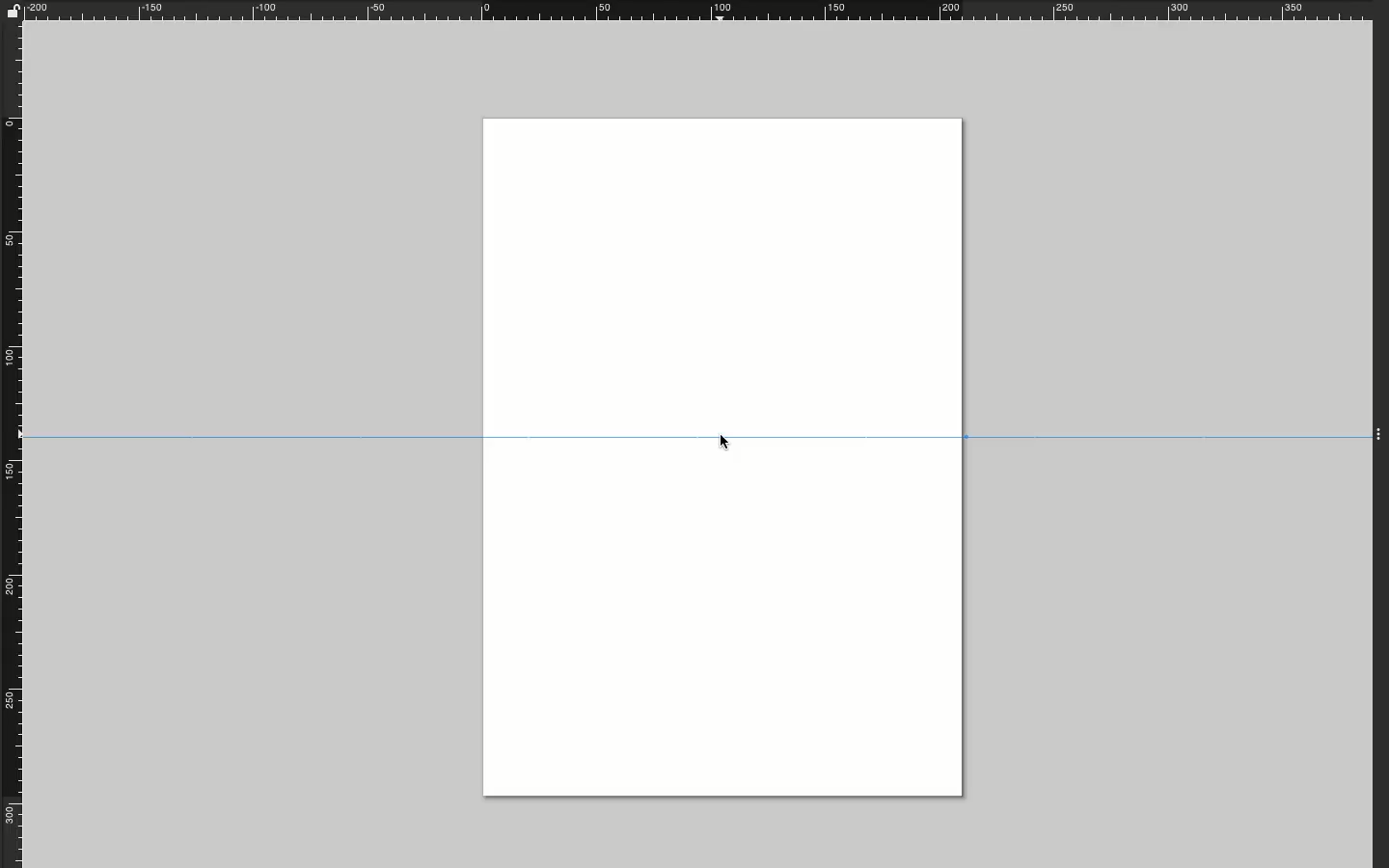 The image size is (1389, 868). What do you see at coordinates (696, 435) in the screenshot?
I see `Guide` at bounding box center [696, 435].